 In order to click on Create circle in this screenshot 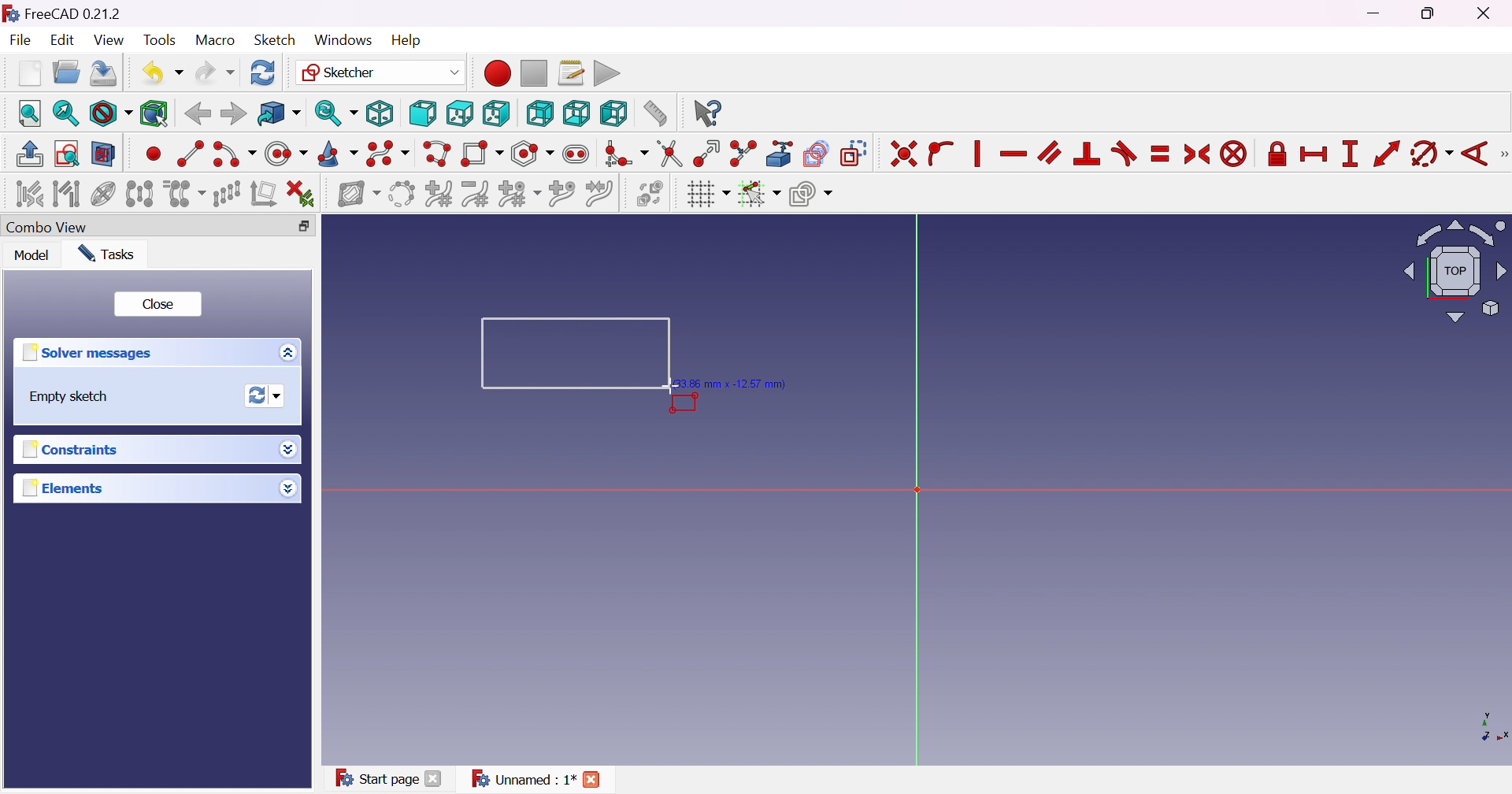, I will do `click(286, 154)`.